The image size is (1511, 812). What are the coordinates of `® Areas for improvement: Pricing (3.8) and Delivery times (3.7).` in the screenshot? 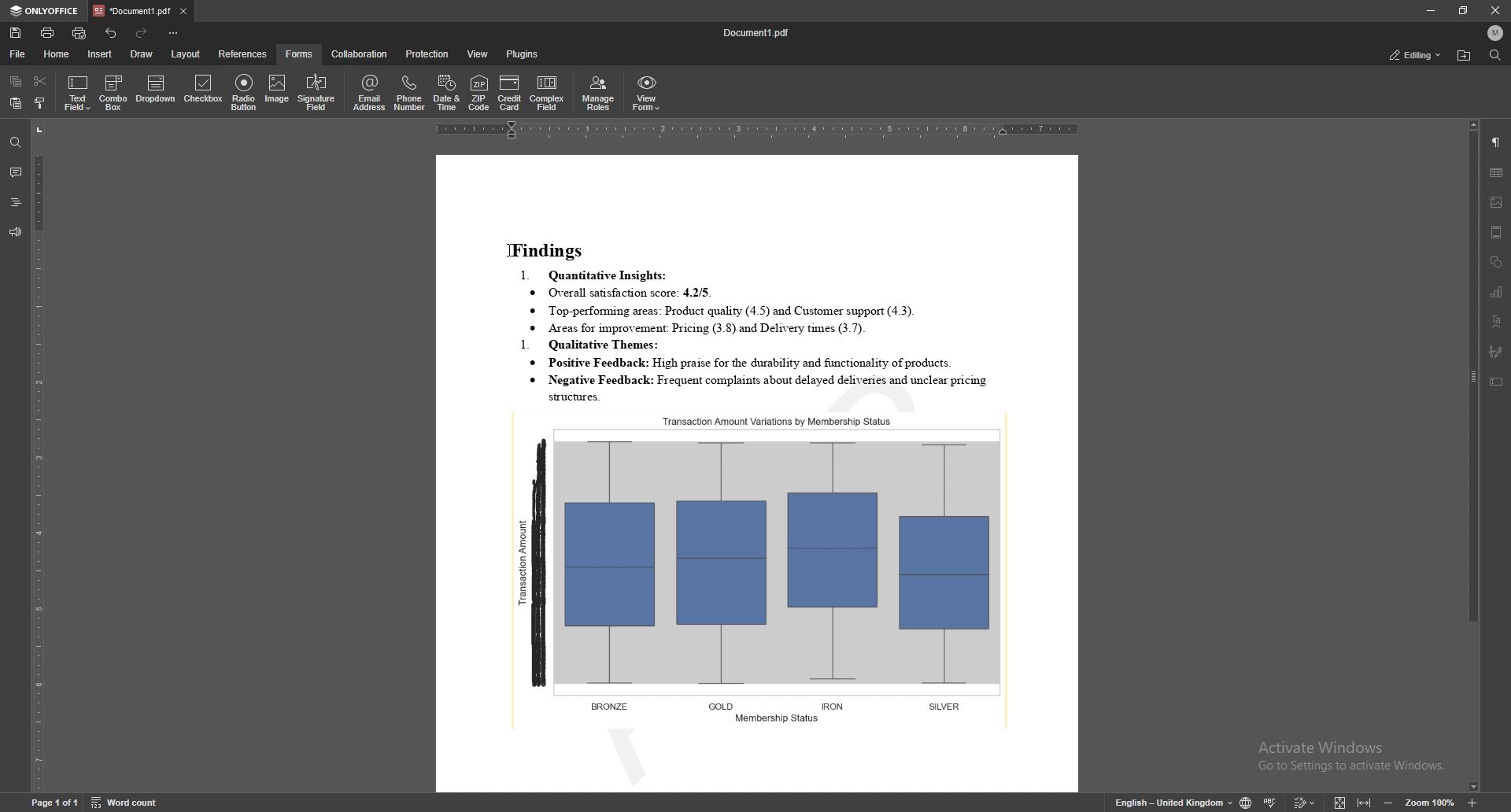 It's located at (708, 329).